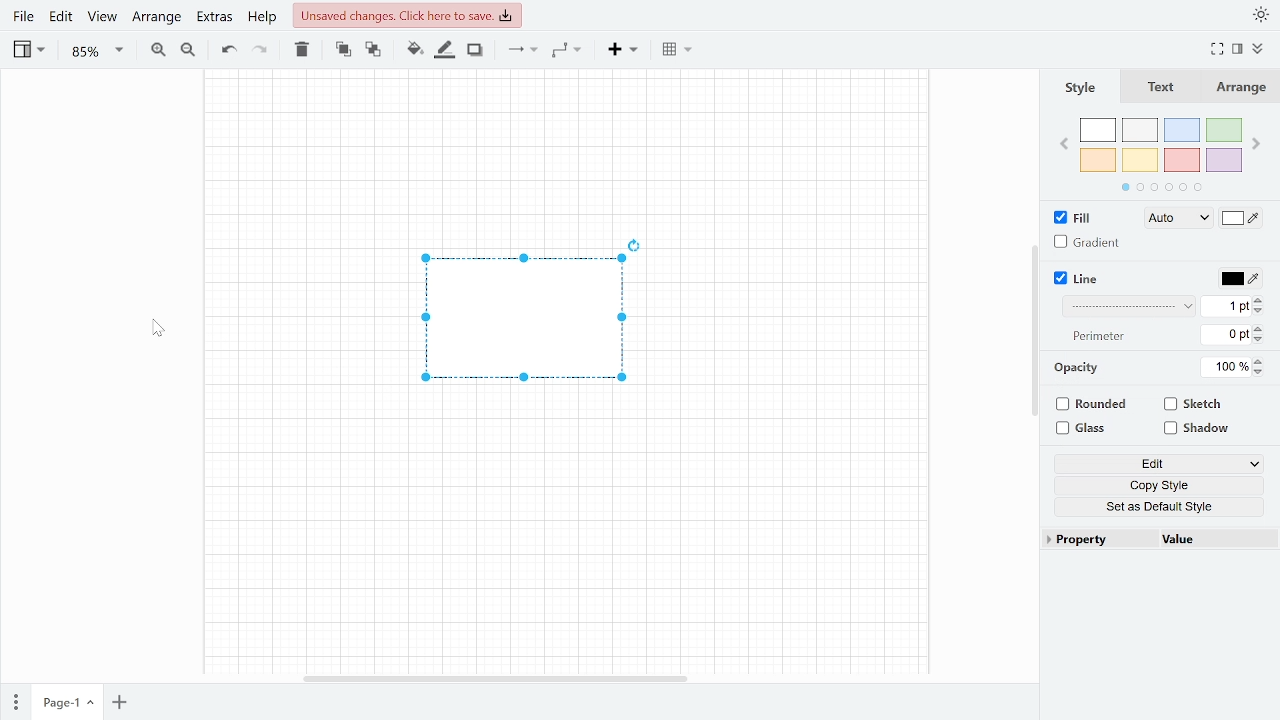  What do you see at coordinates (1262, 340) in the screenshot?
I see `Decrease perimeter` at bounding box center [1262, 340].